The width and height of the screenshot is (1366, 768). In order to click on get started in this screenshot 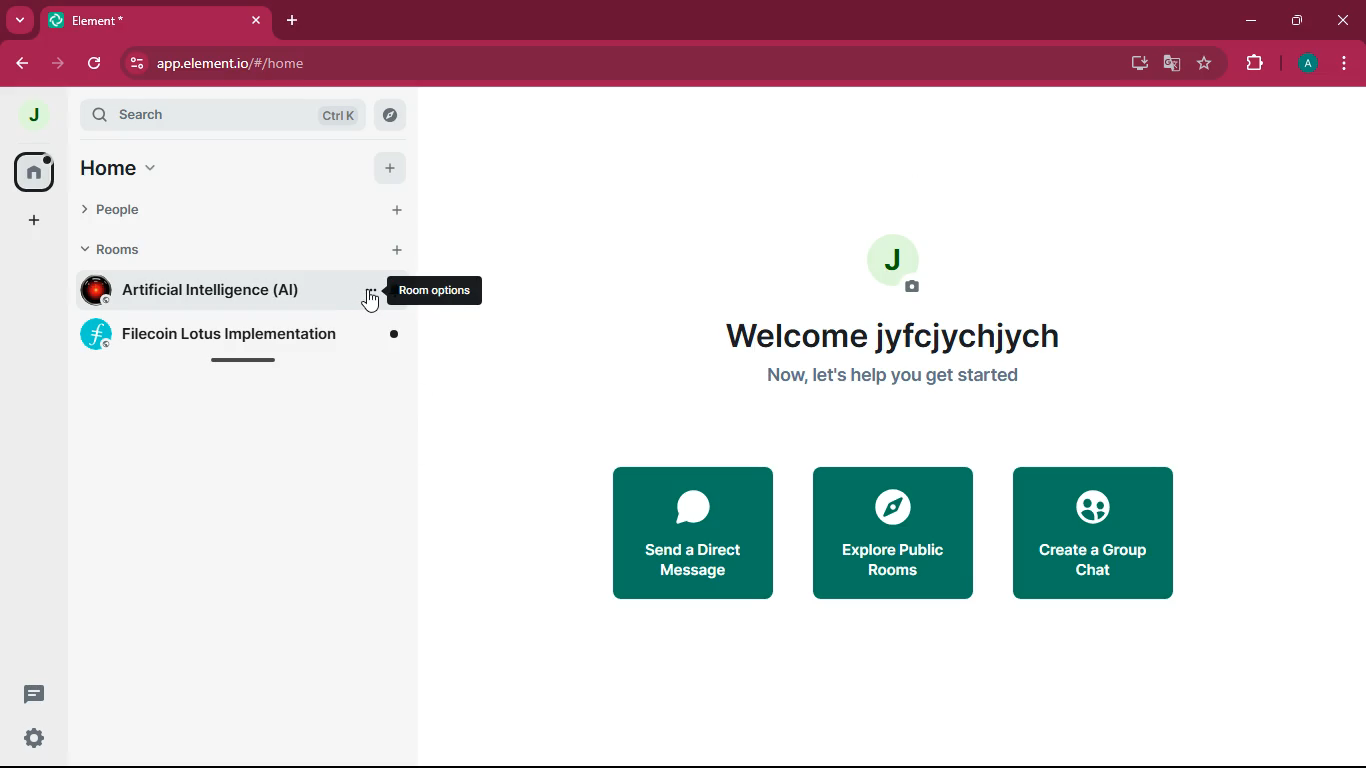, I will do `click(893, 376)`.